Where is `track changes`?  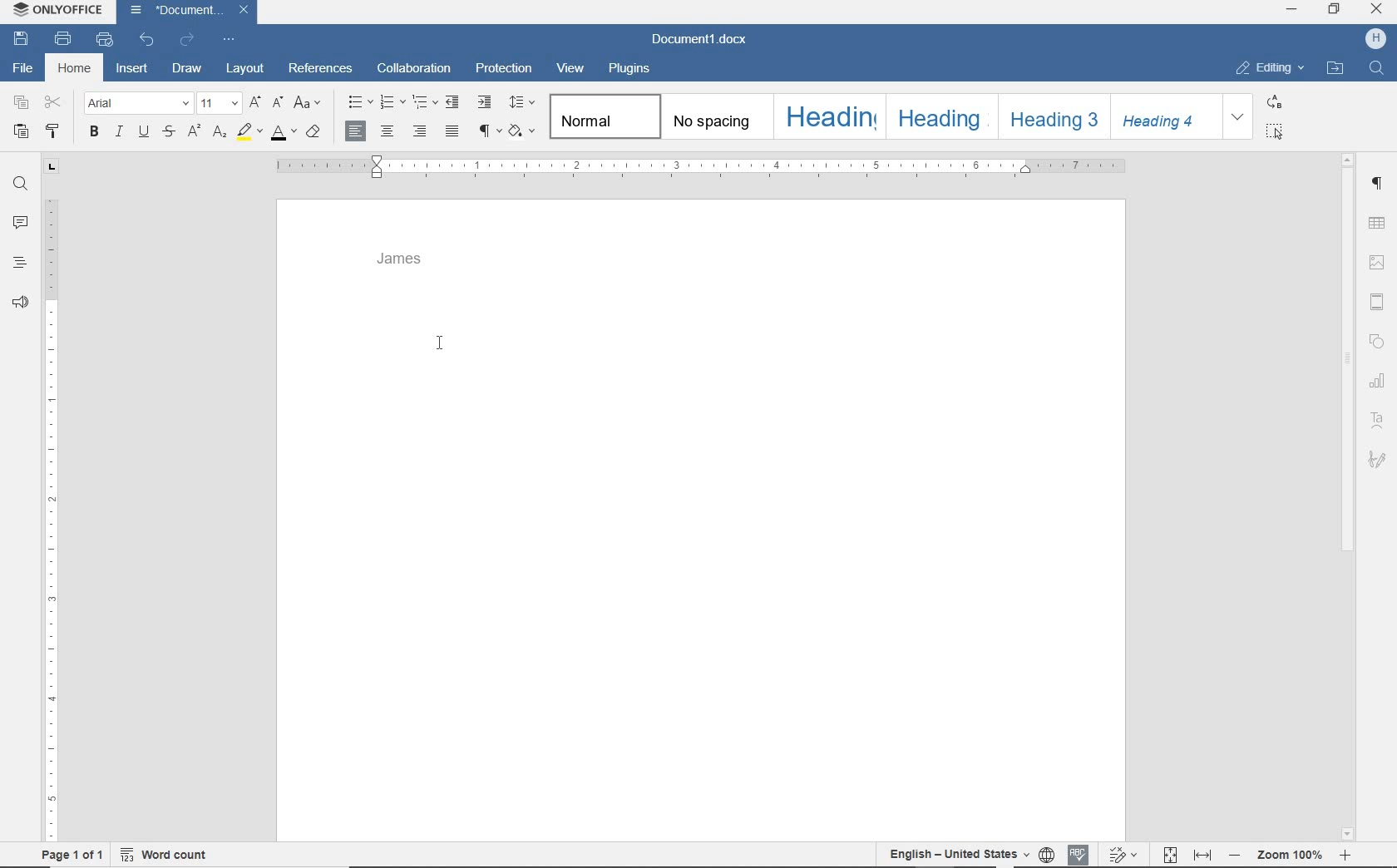
track changes is located at coordinates (1122, 853).